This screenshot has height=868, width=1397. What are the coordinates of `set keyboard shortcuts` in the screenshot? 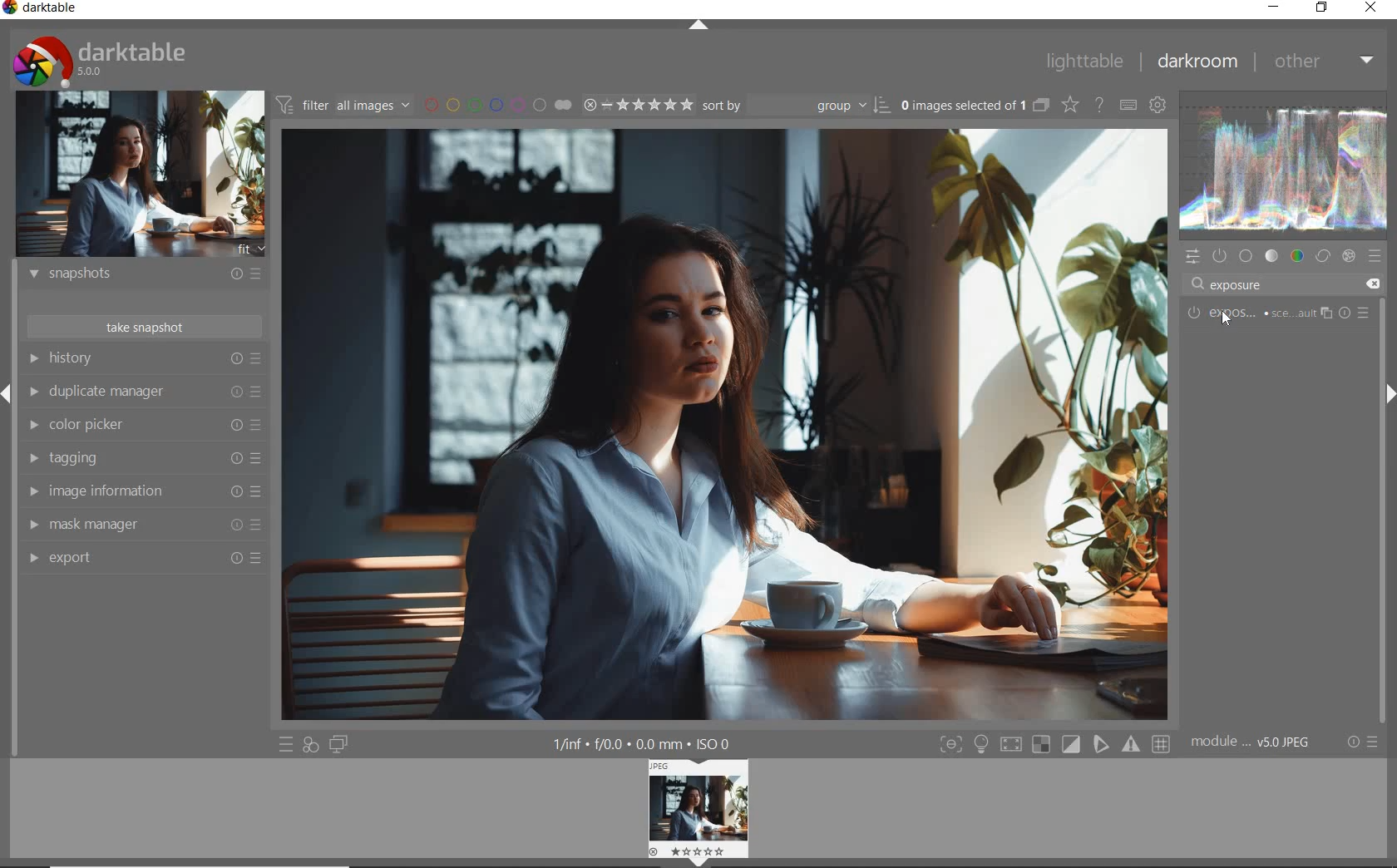 It's located at (1127, 105).